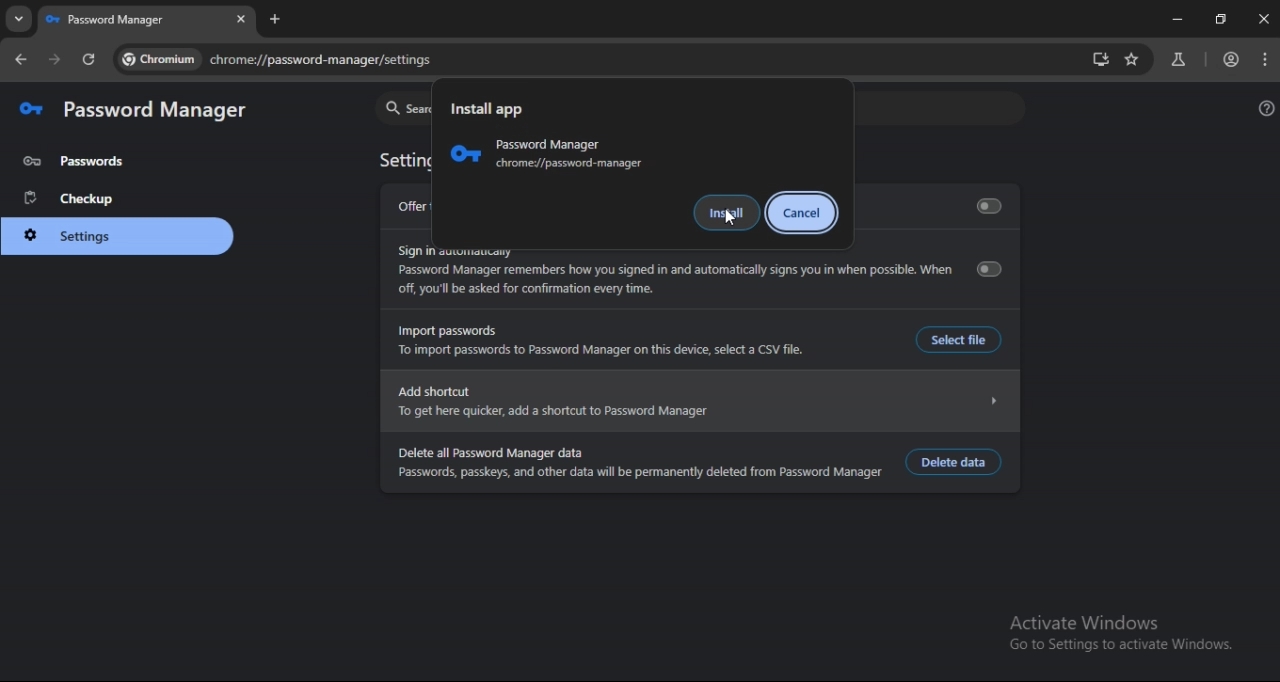  What do you see at coordinates (634, 462) in the screenshot?
I see `Delete all Password Manager data
Passwords, passkeys, and other data will be permanently deleted from Password Manager` at bounding box center [634, 462].